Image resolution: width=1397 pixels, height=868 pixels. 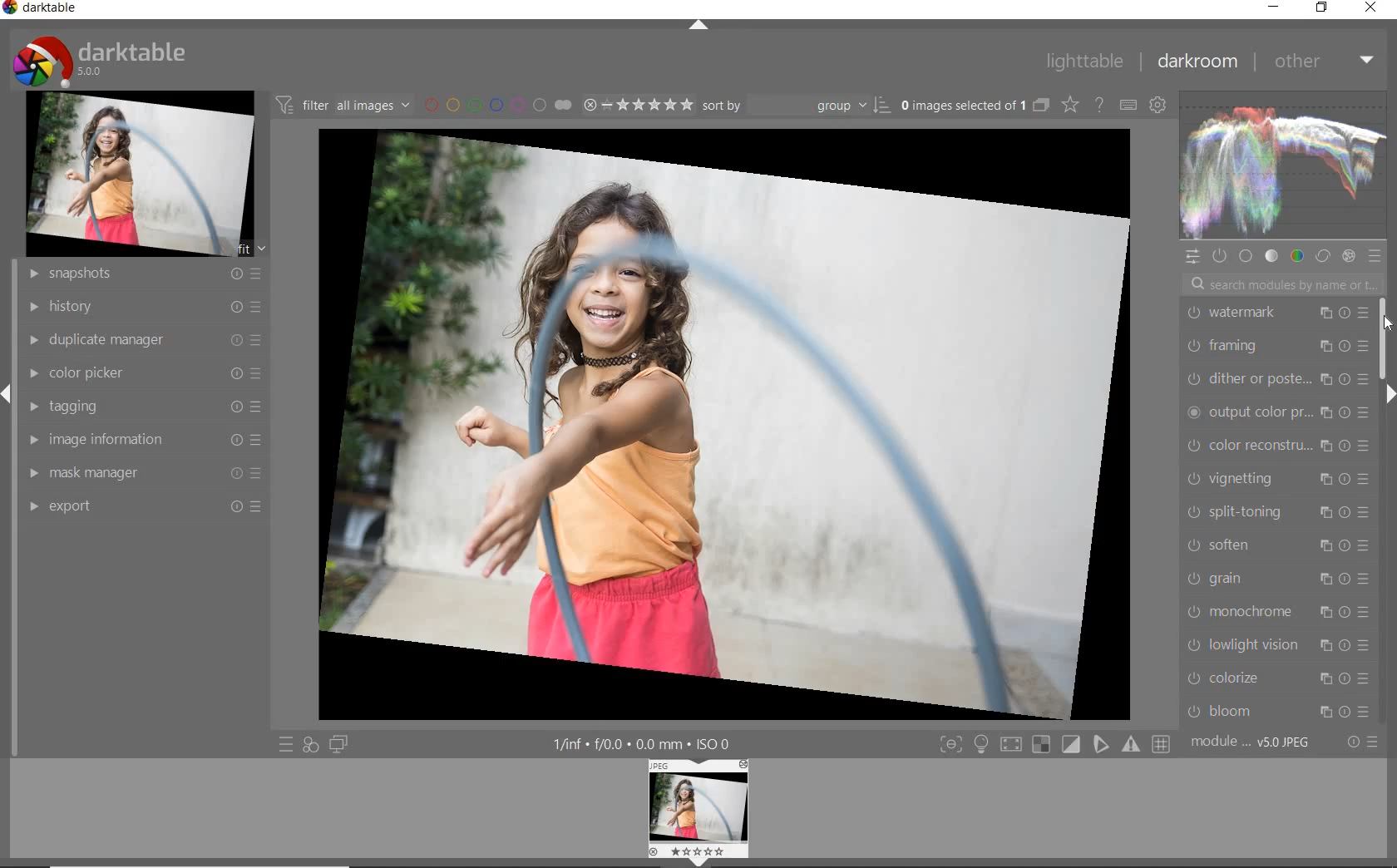 What do you see at coordinates (1246, 257) in the screenshot?
I see `base` at bounding box center [1246, 257].